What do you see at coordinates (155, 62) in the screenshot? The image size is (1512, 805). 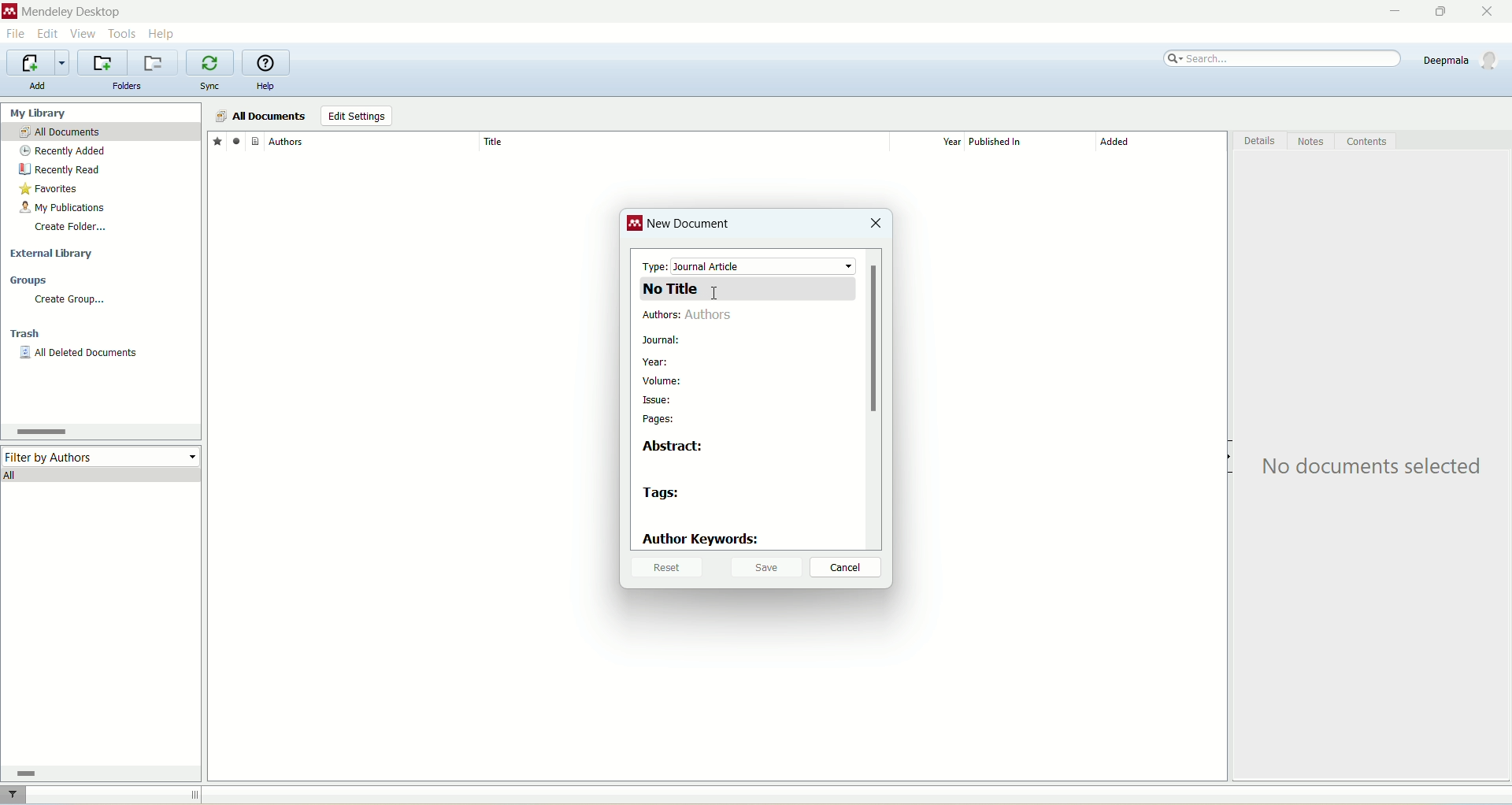 I see `remove current folder` at bounding box center [155, 62].